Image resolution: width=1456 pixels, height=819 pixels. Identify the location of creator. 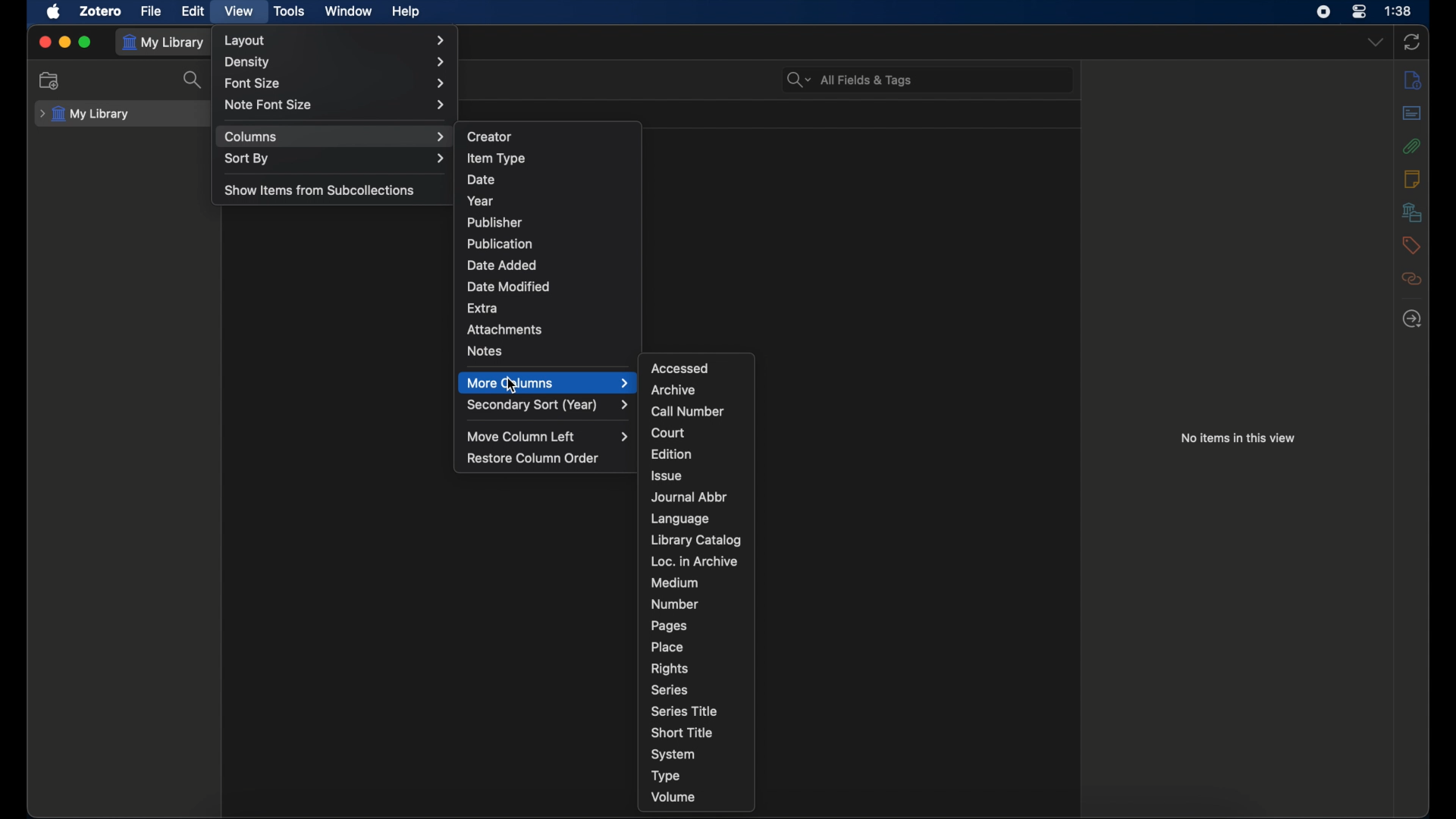
(491, 135).